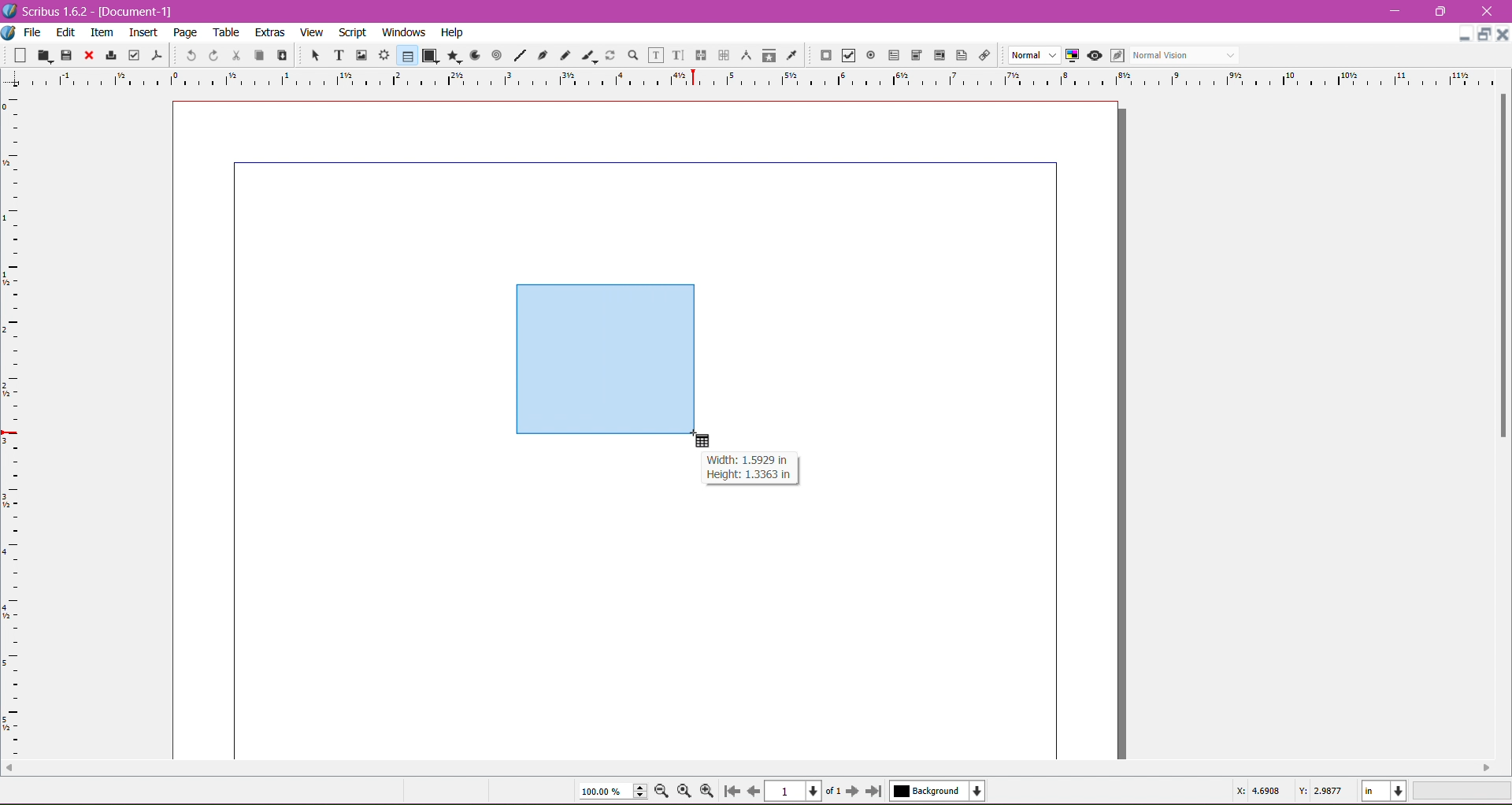 This screenshot has width=1512, height=805. Describe the element at coordinates (1488, 12) in the screenshot. I see `Close` at that location.